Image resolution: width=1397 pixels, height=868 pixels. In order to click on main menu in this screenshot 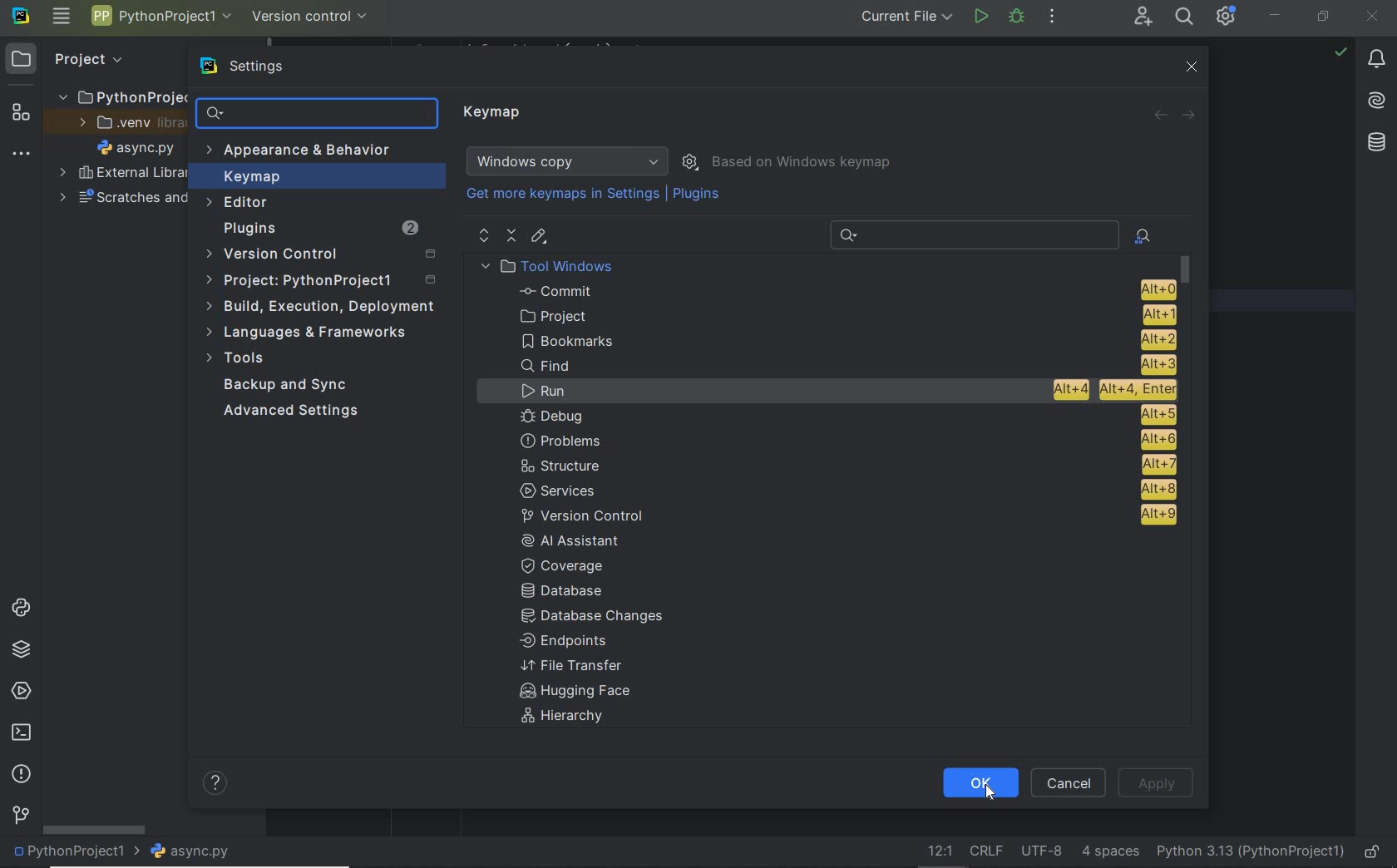, I will do `click(61, 17)`.